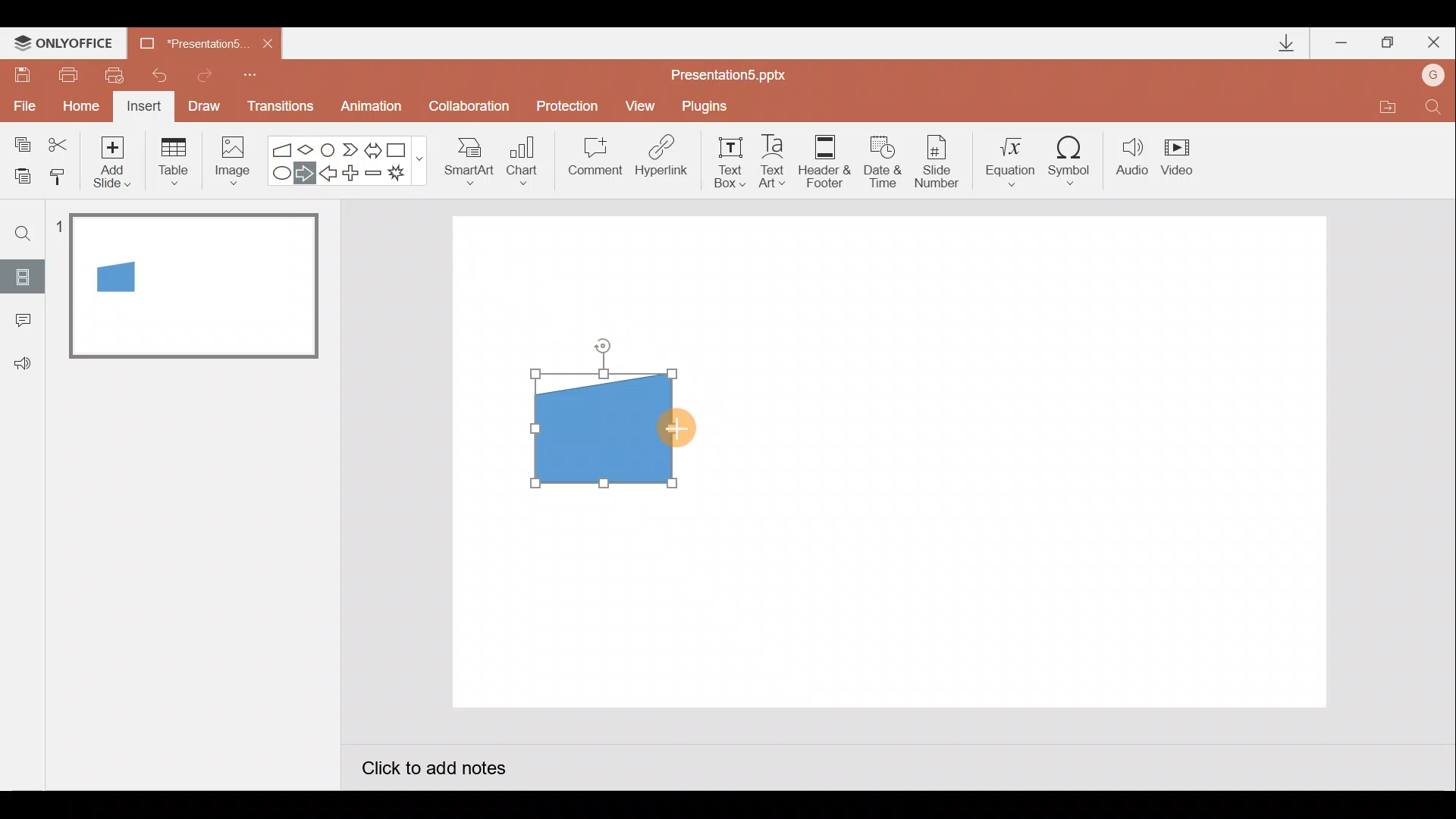  Describe the element at coordinates (21, 72) in the screenshot. I see `Save` at that location.